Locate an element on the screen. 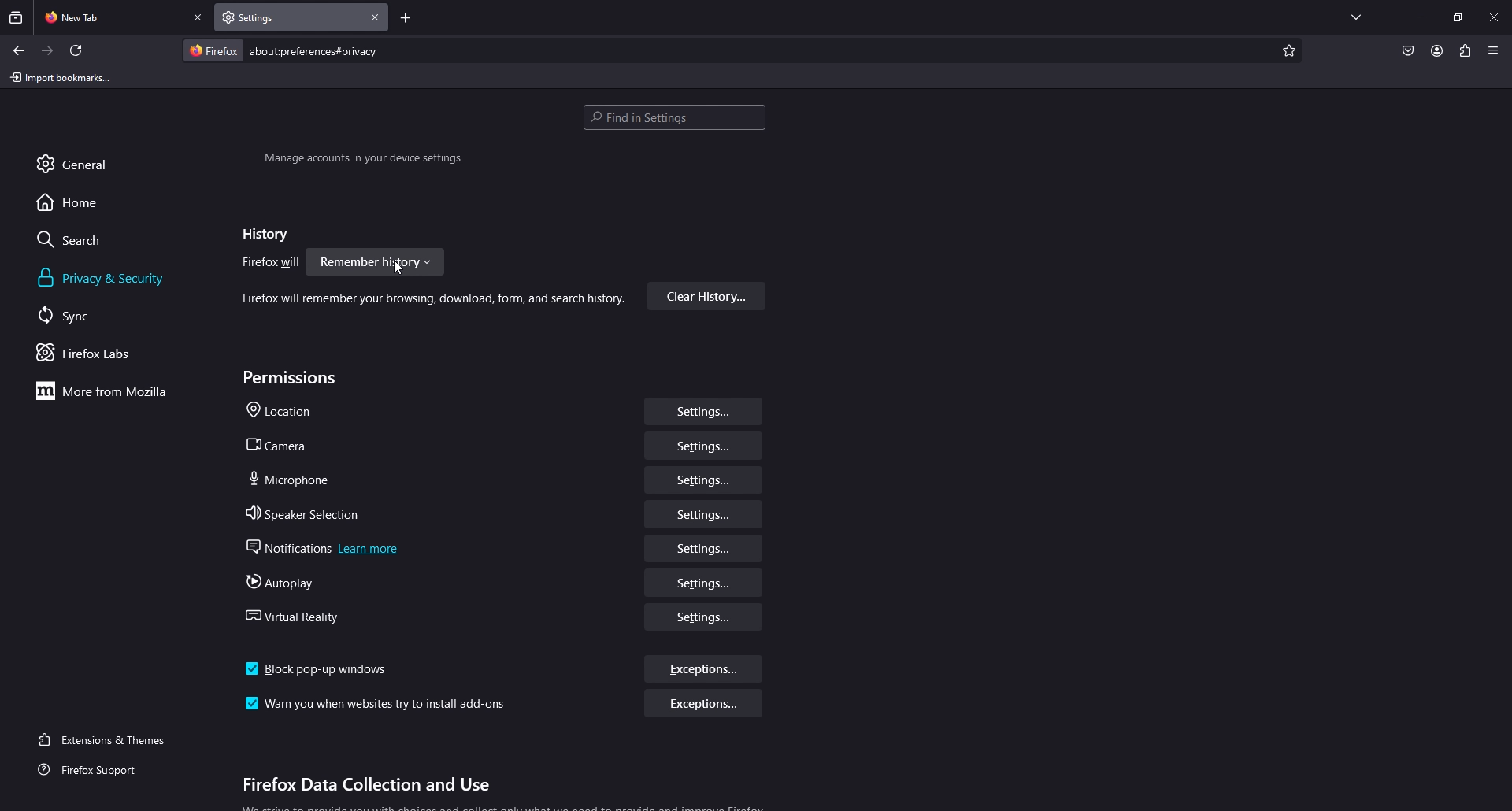 This screenshot has width=1512, height=811. settings is located at coordinates (706, 549).